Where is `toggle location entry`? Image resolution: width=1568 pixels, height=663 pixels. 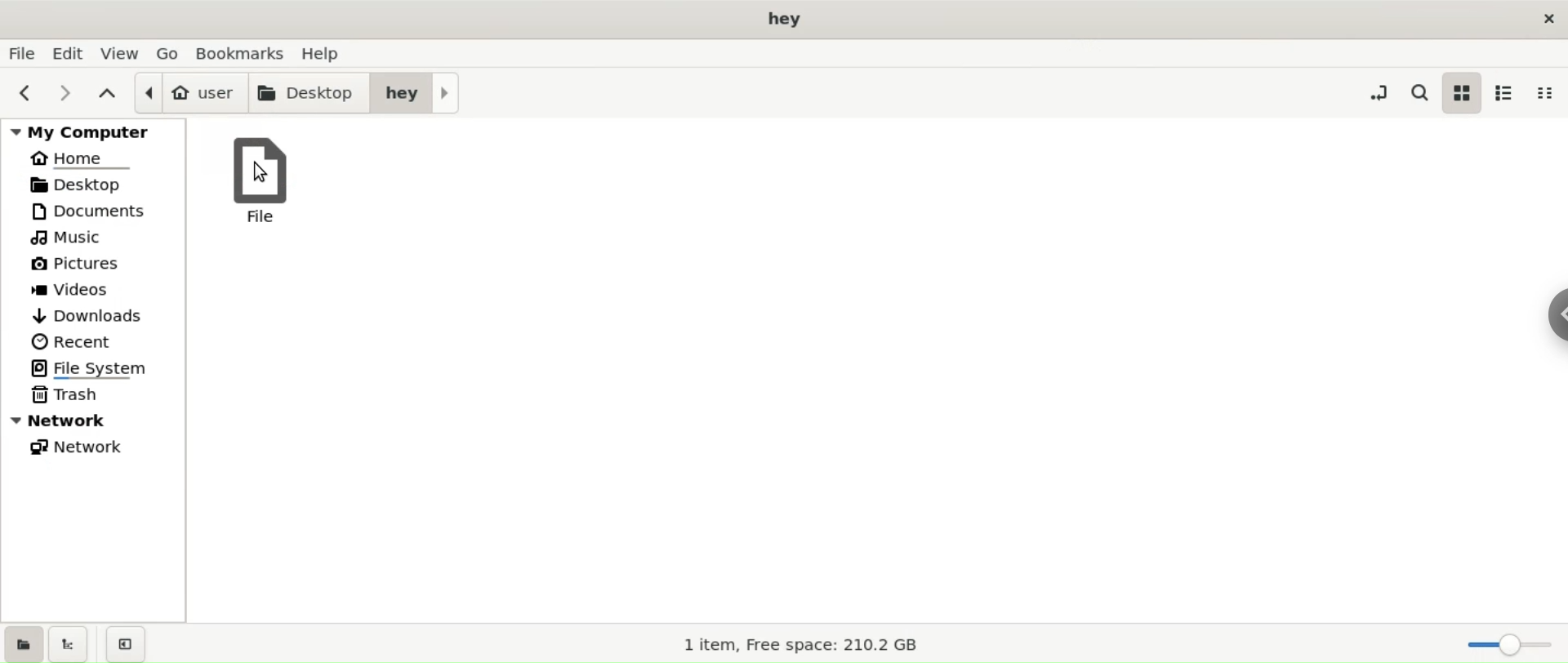
toggle location entry is located at coordinates (1379, 92).